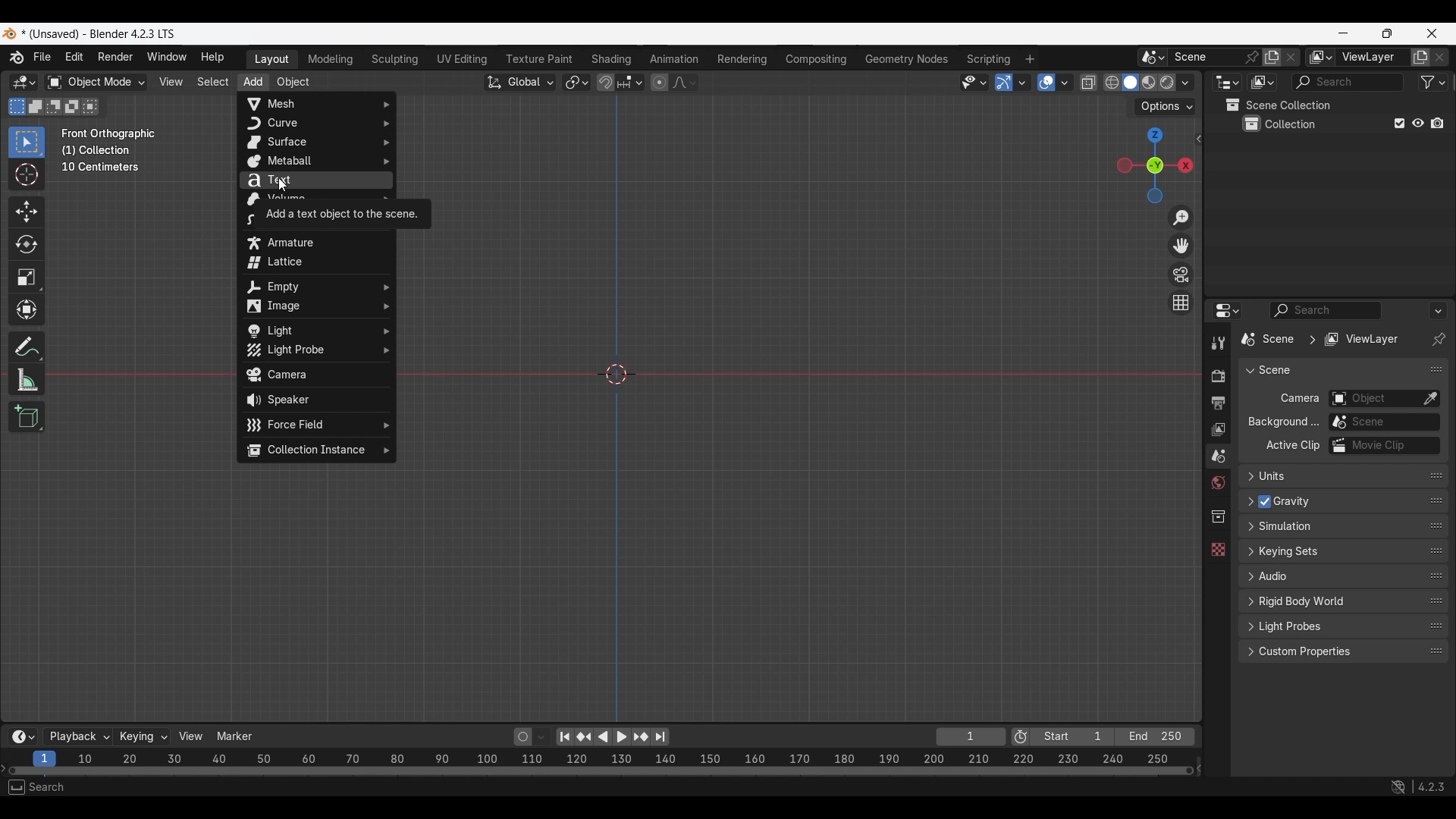 The image size is (1456, 819). Describe the element at coordinates (27, 176) in the screenshot. I see `Cursor` at that location.